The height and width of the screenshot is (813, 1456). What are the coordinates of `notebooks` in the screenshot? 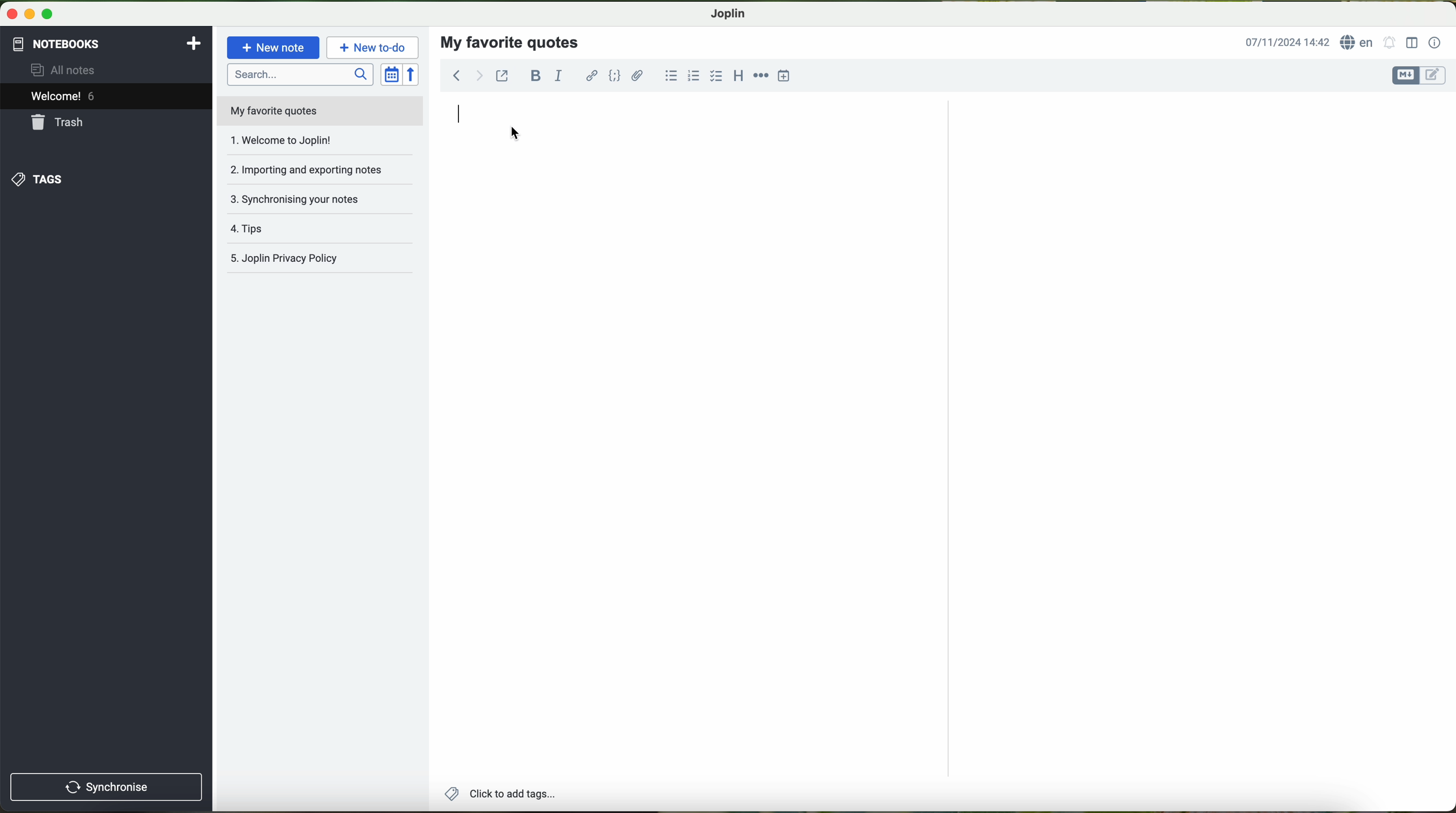 It's located at (107, 42).